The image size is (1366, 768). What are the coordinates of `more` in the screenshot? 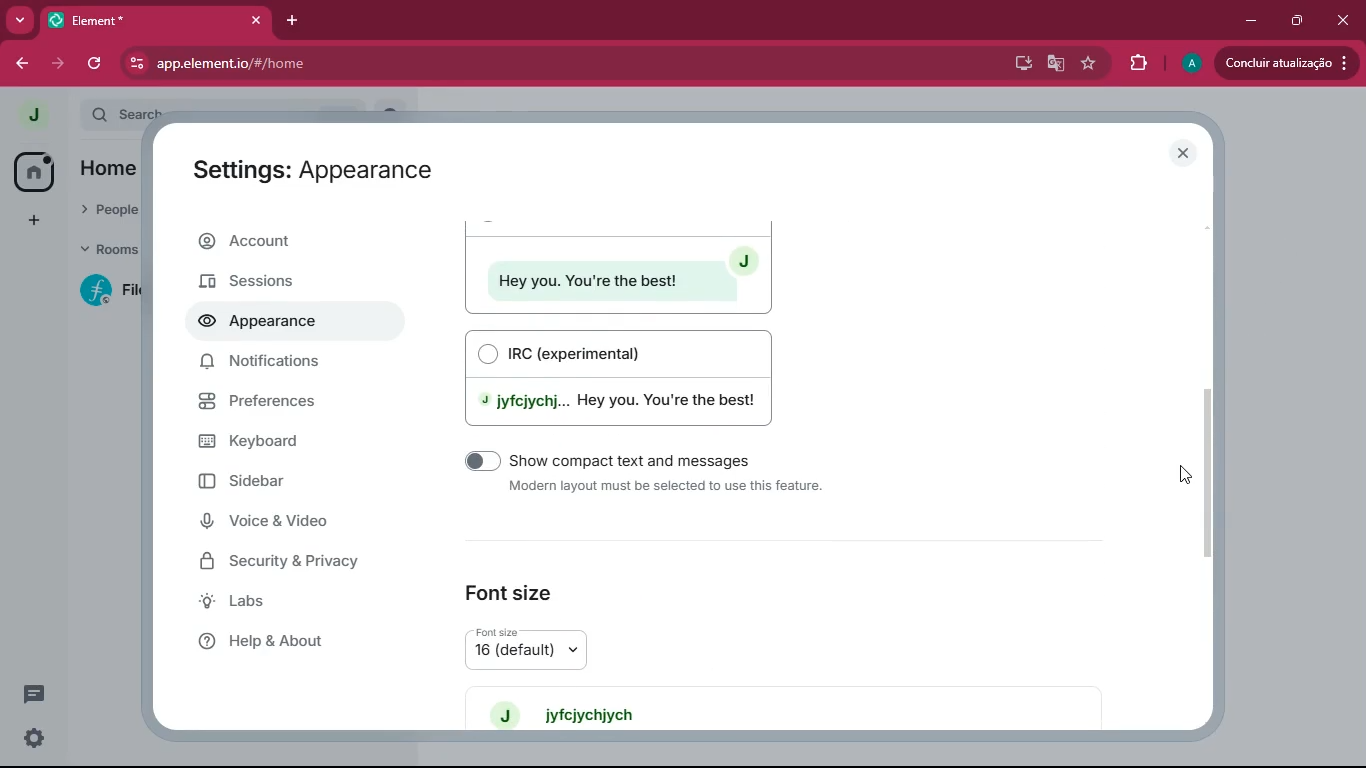 It's located at (22, 21).